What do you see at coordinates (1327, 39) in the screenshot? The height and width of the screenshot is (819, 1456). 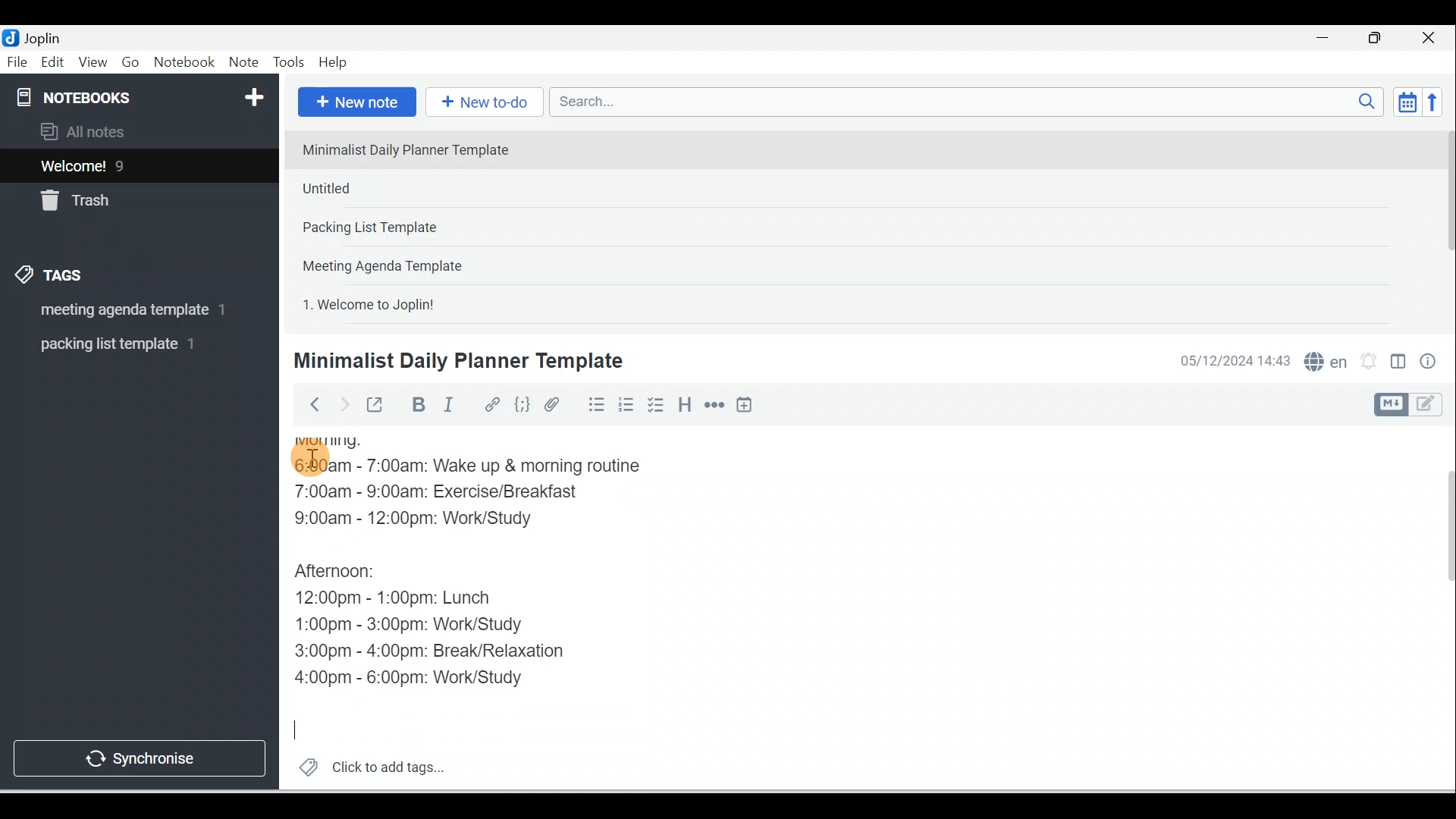 I see `Minimise` at bounding box center [1327, 39].